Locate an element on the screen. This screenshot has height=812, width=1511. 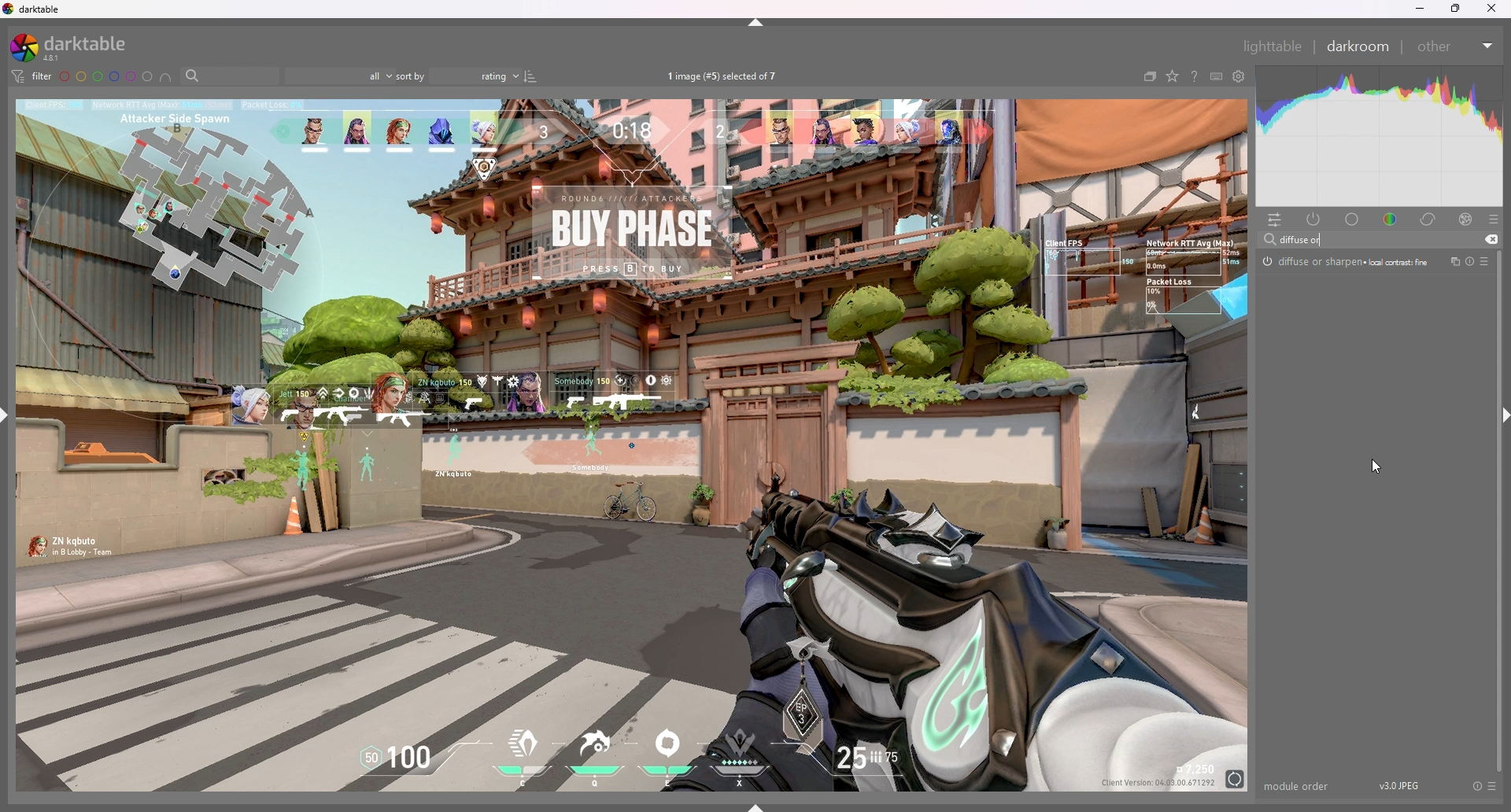
sort by is located at coordinates (458, 76).